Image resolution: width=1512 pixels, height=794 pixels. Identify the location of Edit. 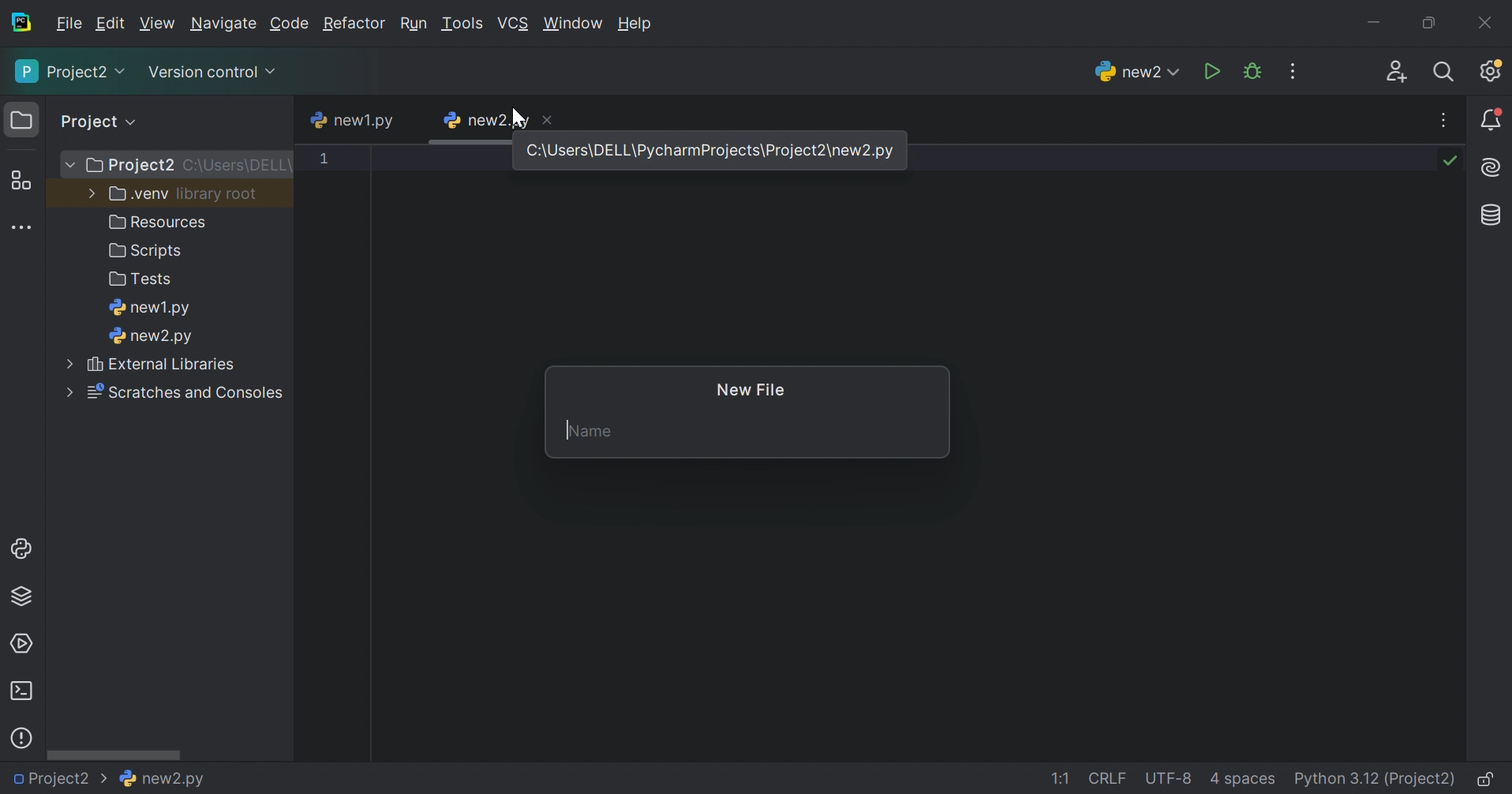
(110, 24).